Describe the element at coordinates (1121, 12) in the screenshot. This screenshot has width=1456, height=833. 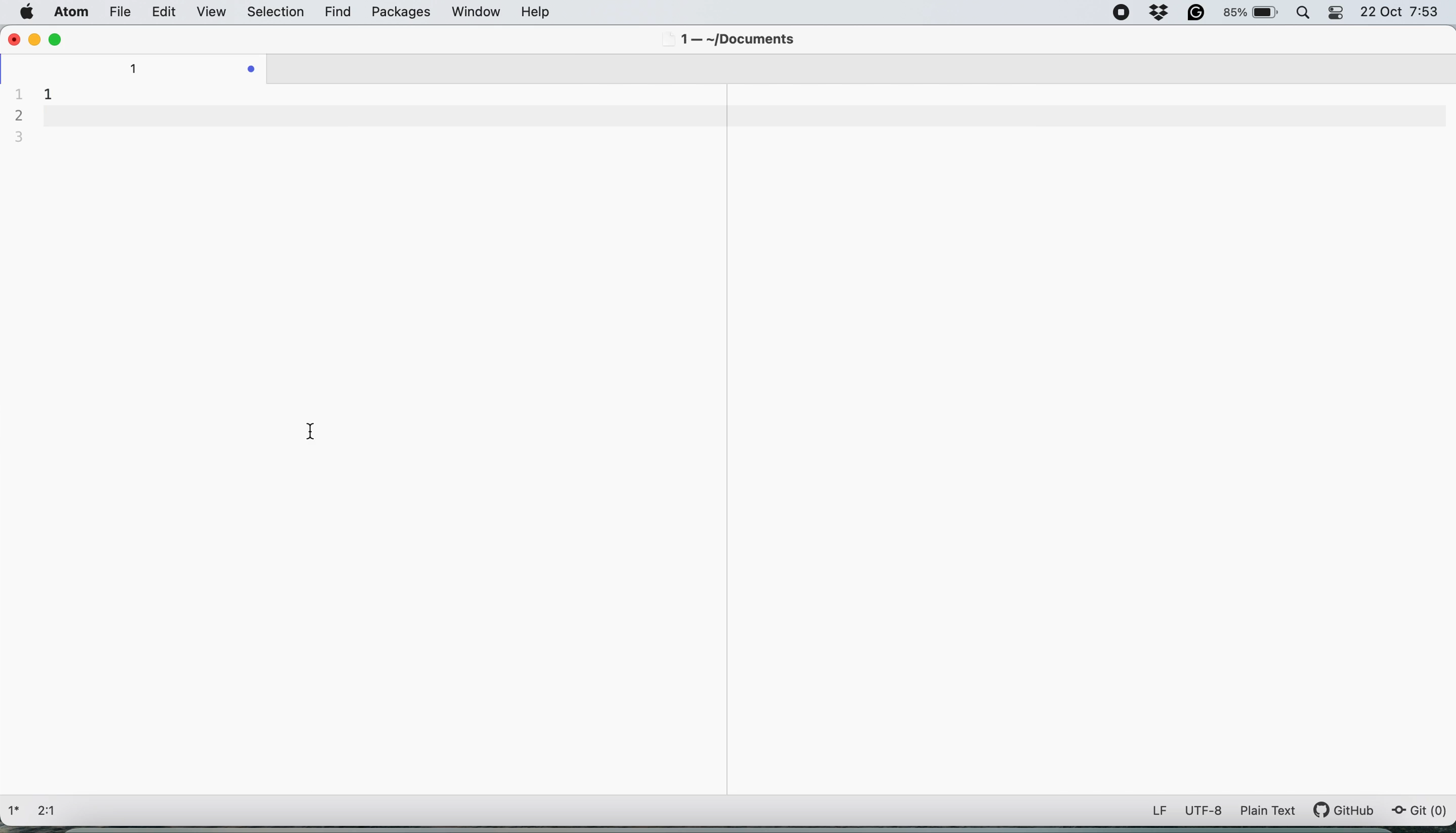
I see `screen recorder` at that location.